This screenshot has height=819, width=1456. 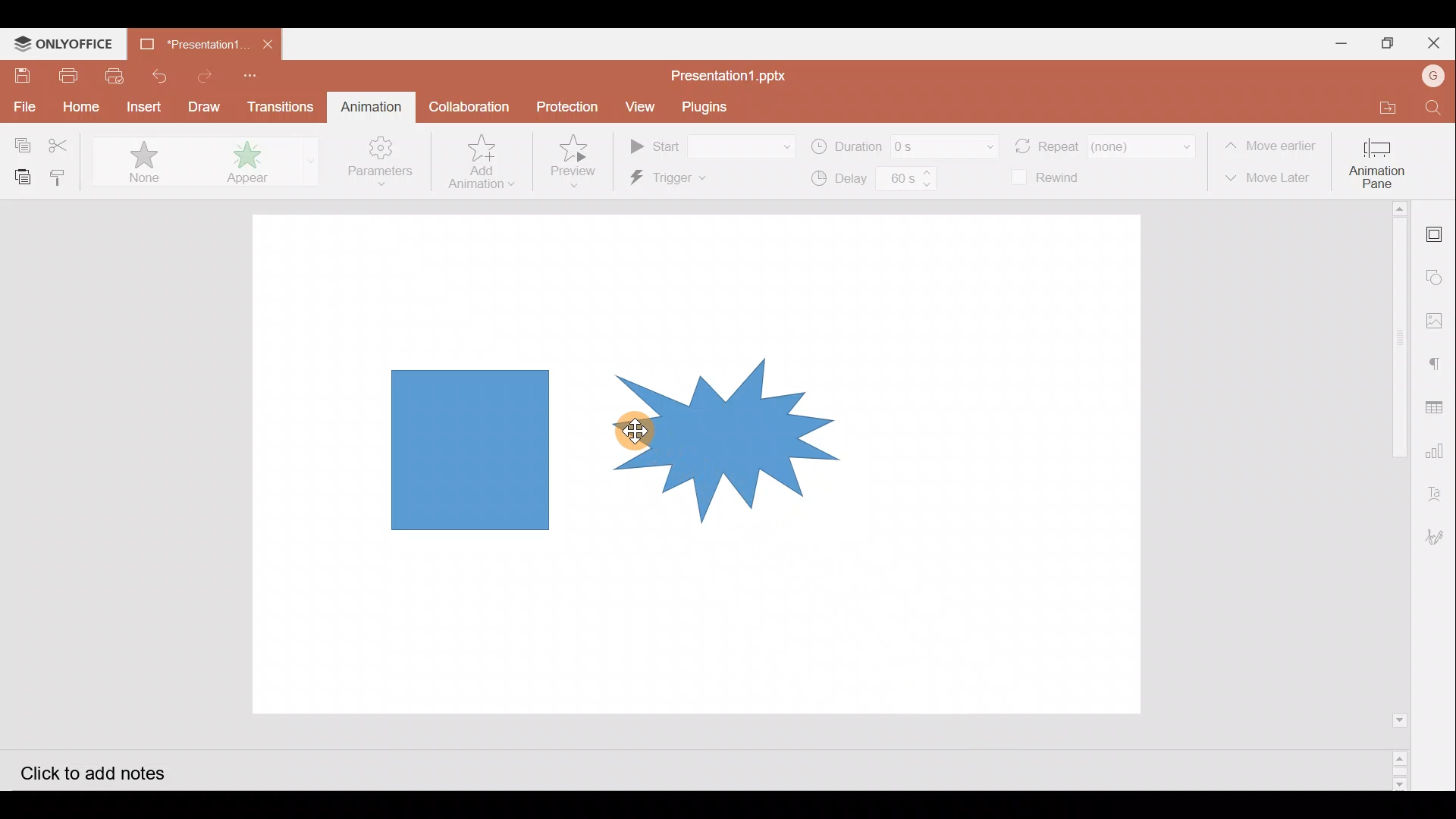 What do you see at coordinates (1437, 362) in the screenshot?
I see `Paragraph settings` at bounding box center [1437, 362].